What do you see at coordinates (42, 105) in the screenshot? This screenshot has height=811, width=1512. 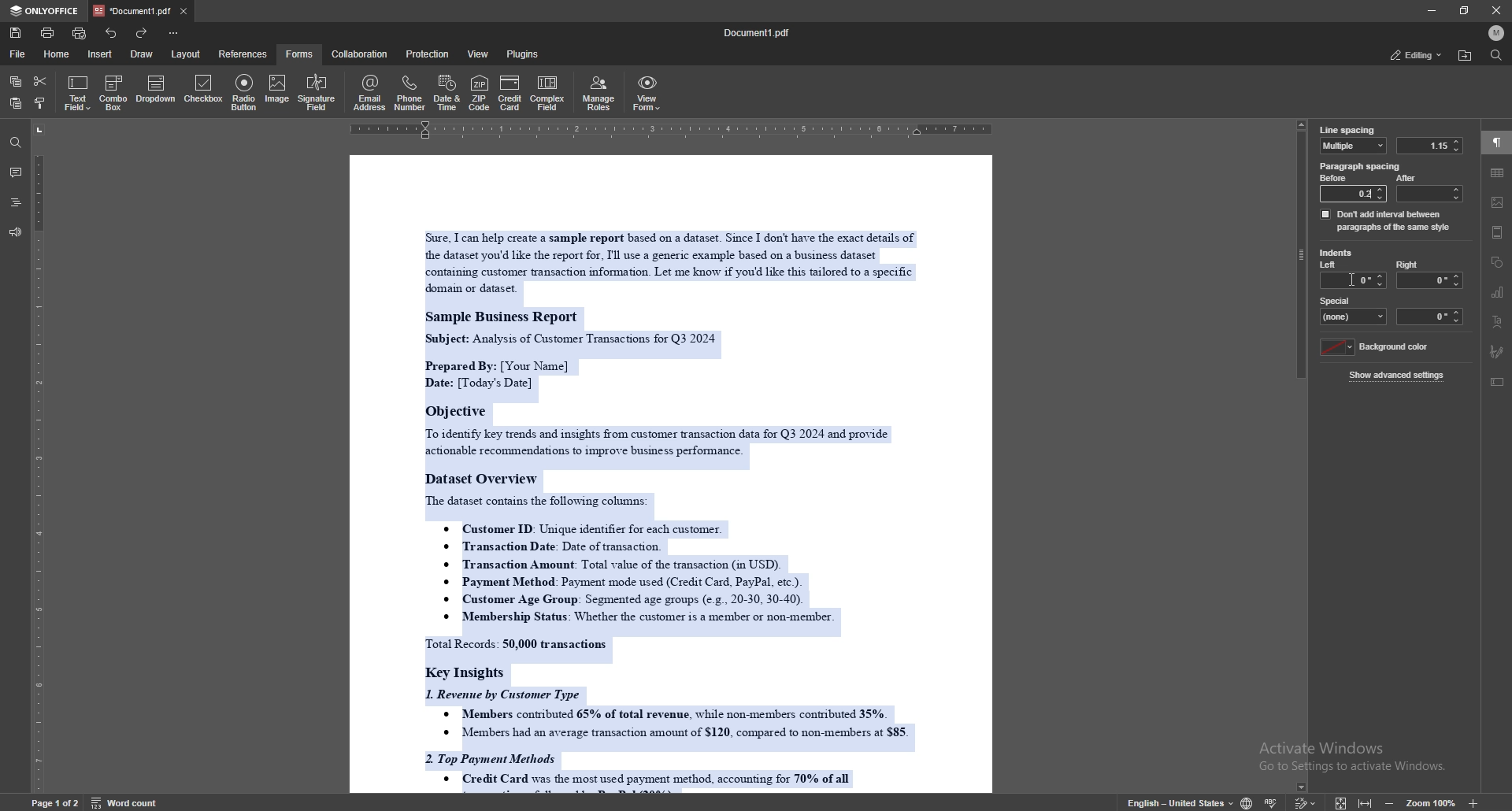 I see `copy style` at bounding box center [42, 105].